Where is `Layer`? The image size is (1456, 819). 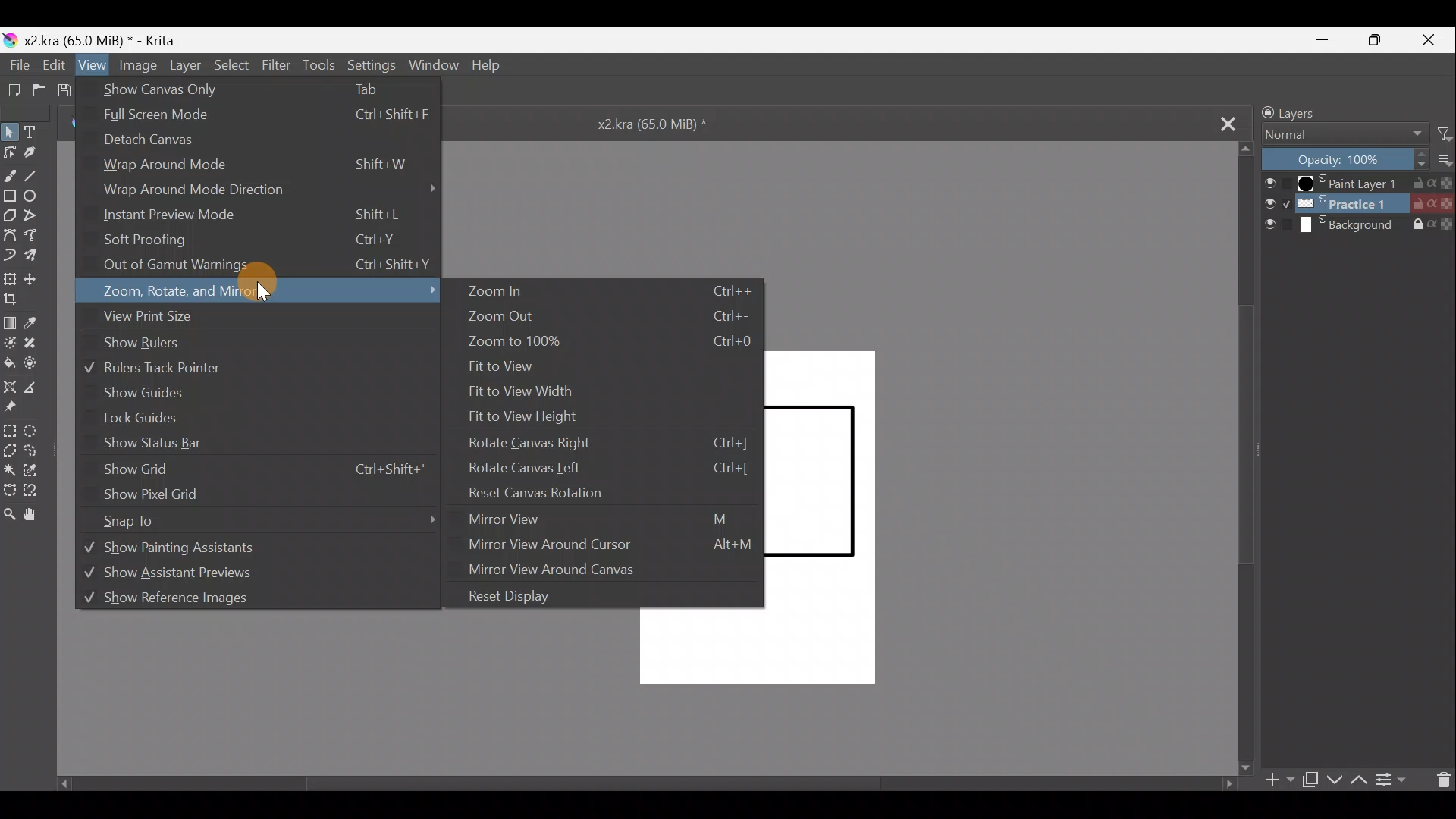 Layer is located at coordinates (184, 67).